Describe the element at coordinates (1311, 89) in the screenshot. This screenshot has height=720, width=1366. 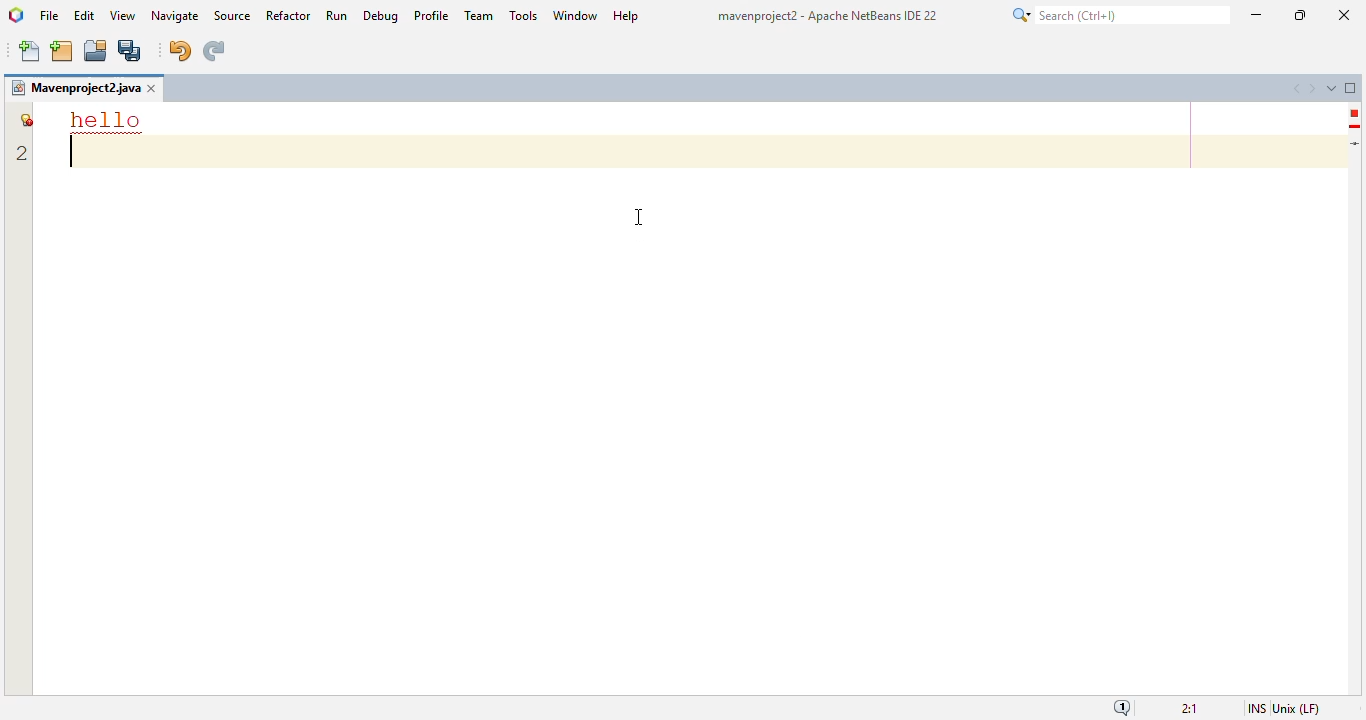
I see `scroll documents right` at that location.